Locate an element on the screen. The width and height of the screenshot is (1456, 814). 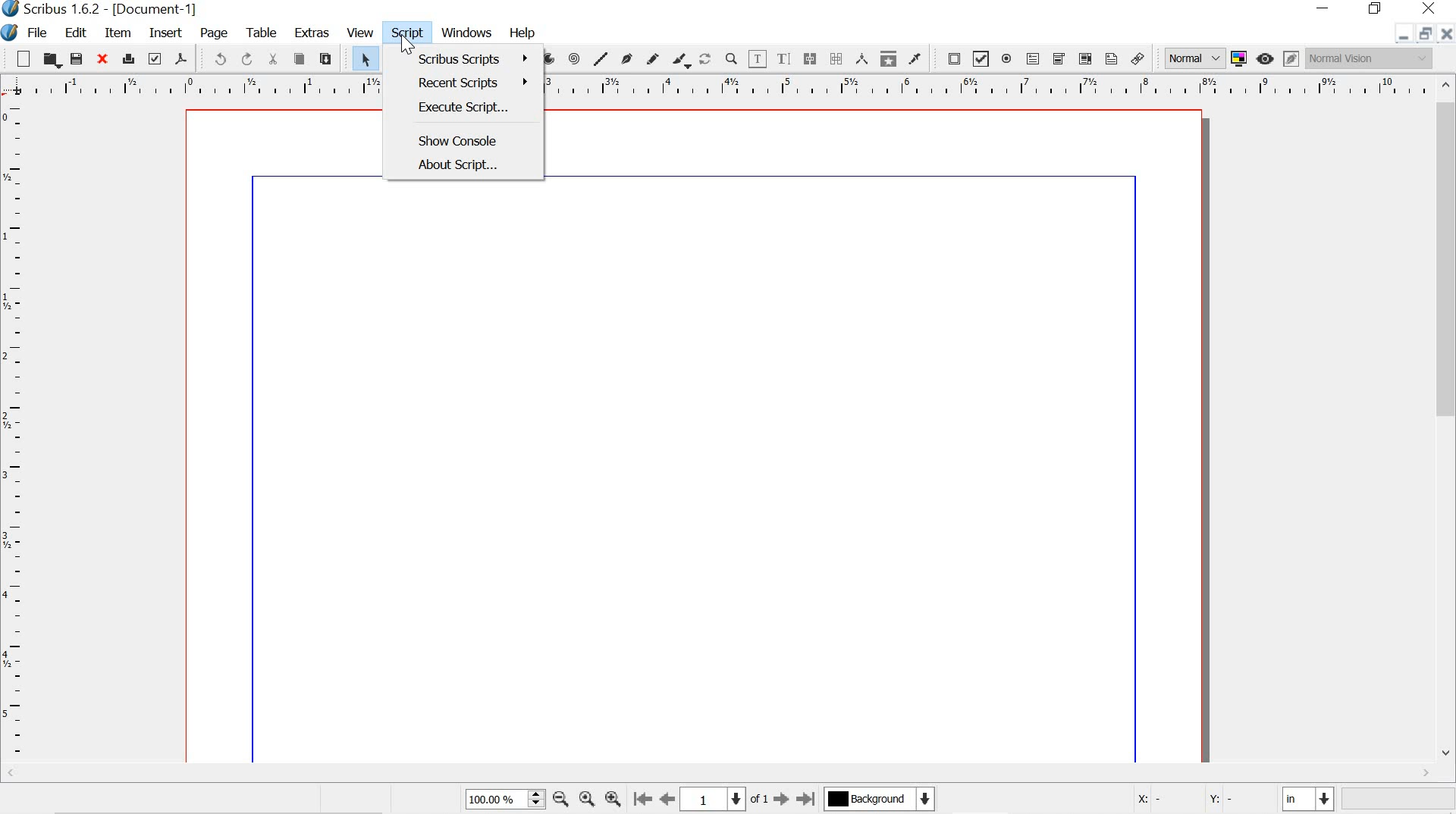
table is located at coordinates (265, 33).